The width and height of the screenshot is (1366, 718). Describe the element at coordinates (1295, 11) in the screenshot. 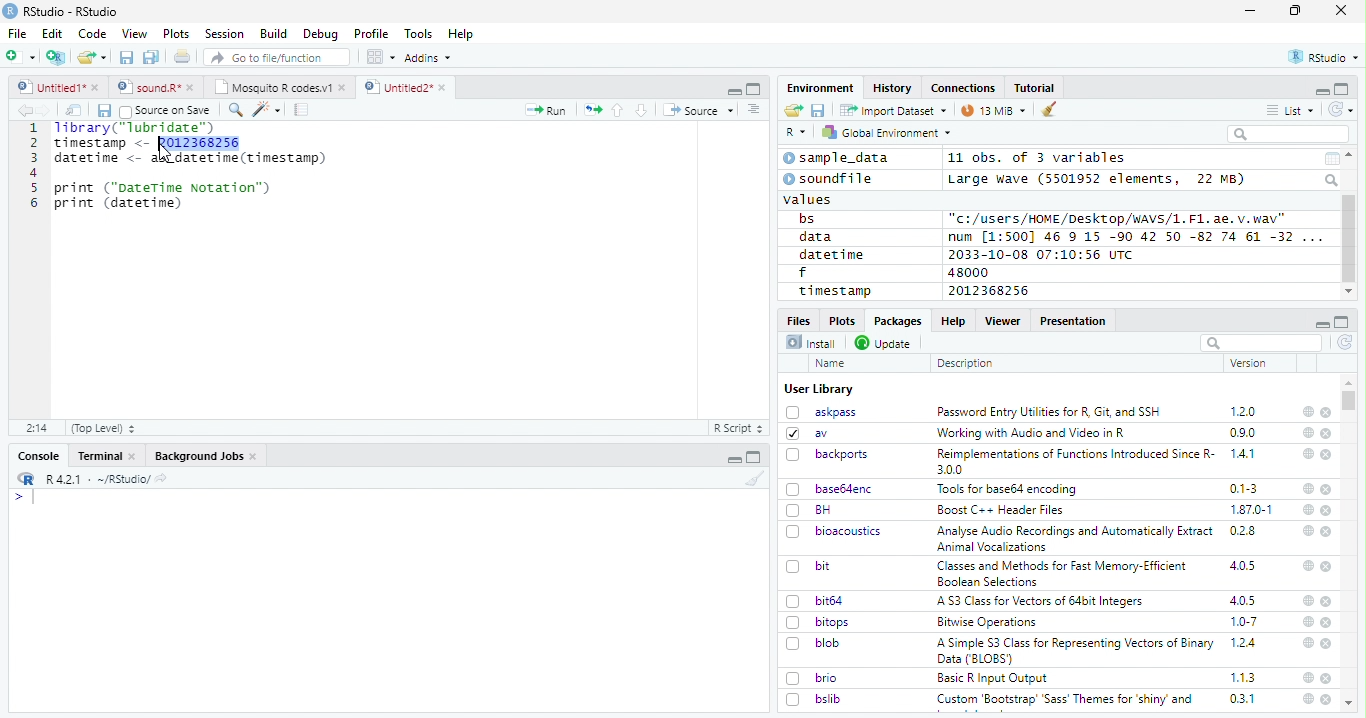

I see `maximize` at that location.